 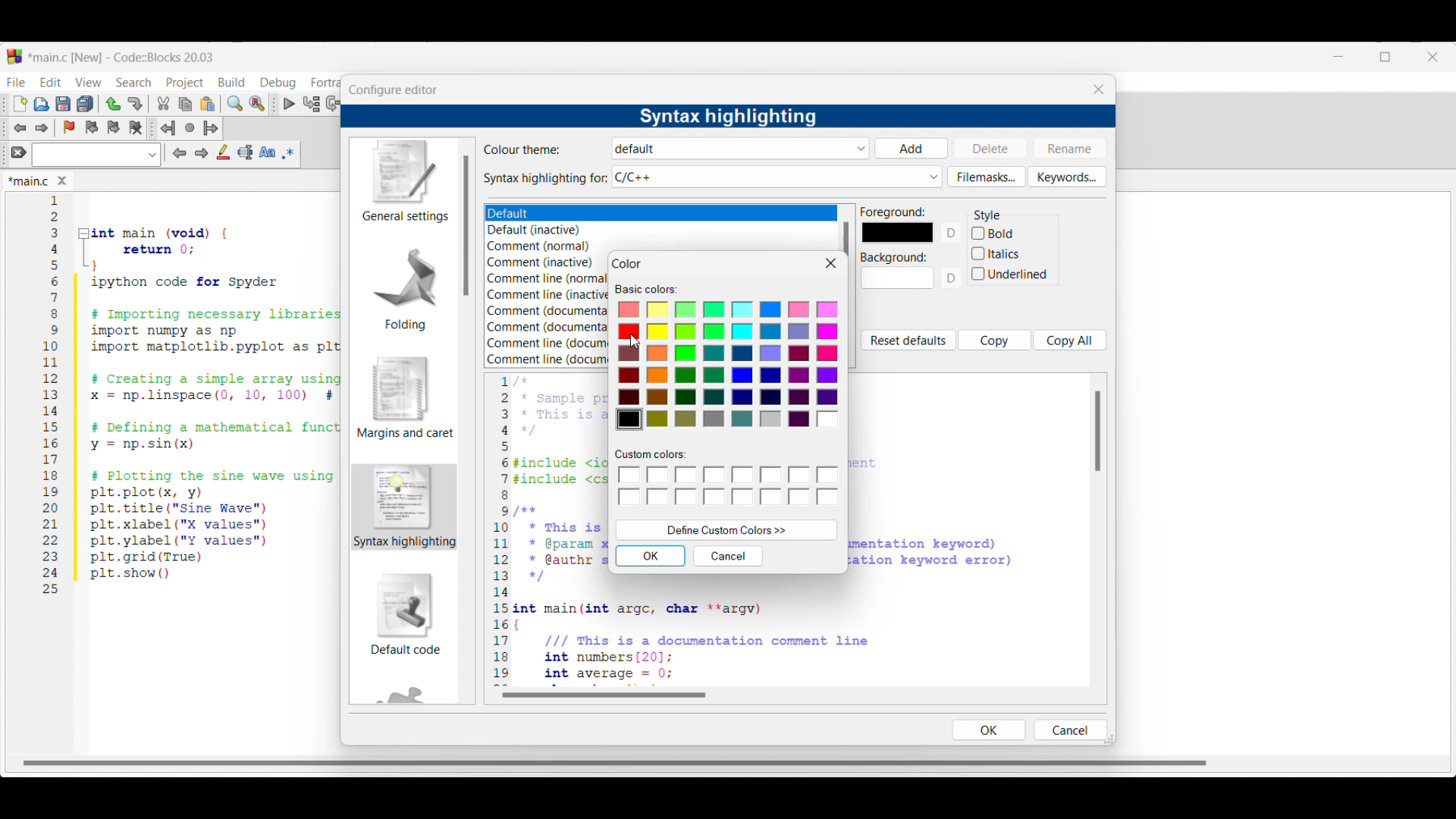 I want to click on Window title, so click(x=628, y=264).